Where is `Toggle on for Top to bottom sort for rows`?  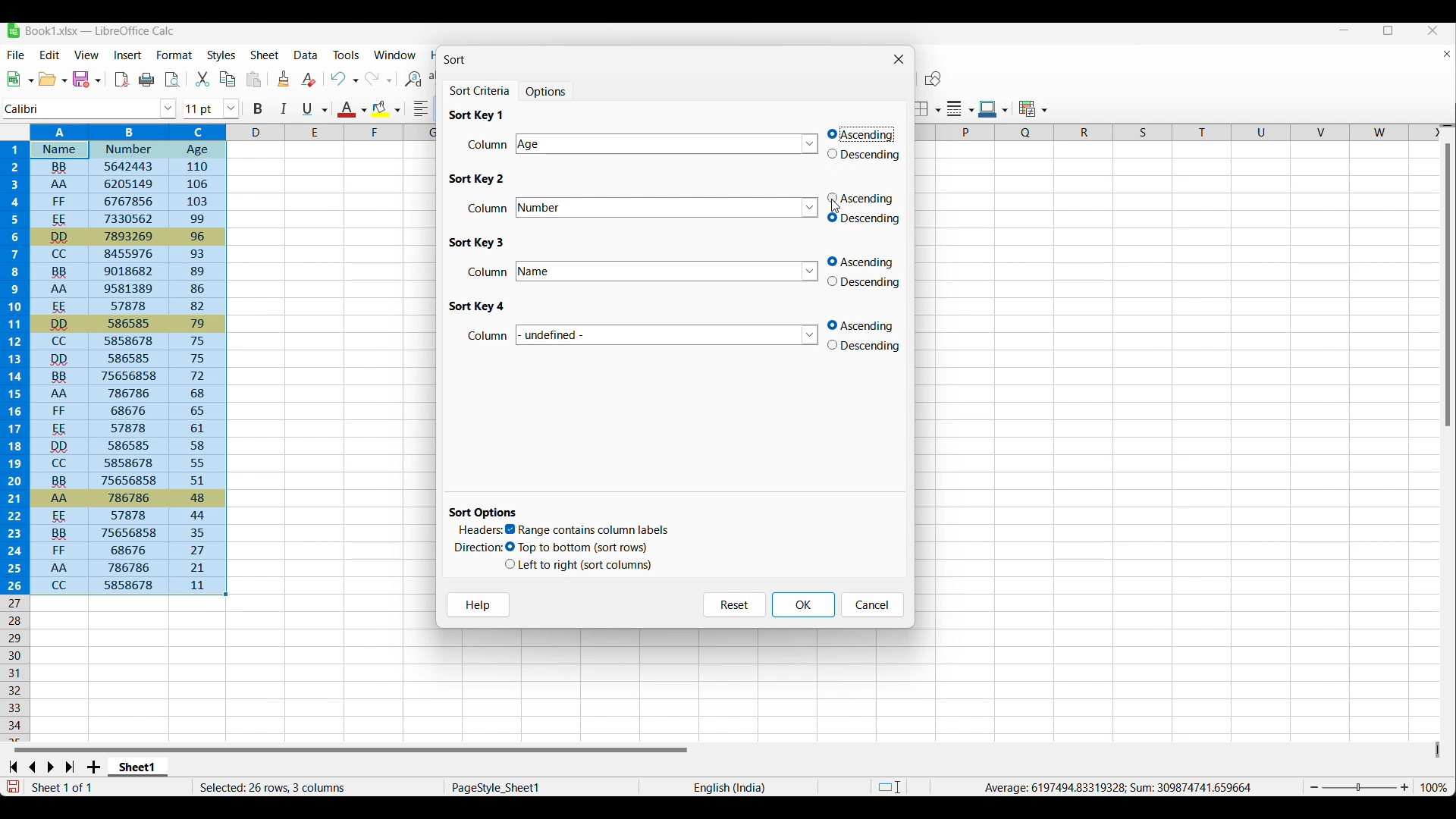
Toggle on for Top to bottom sort for rows is located at coordinates (578, 548).